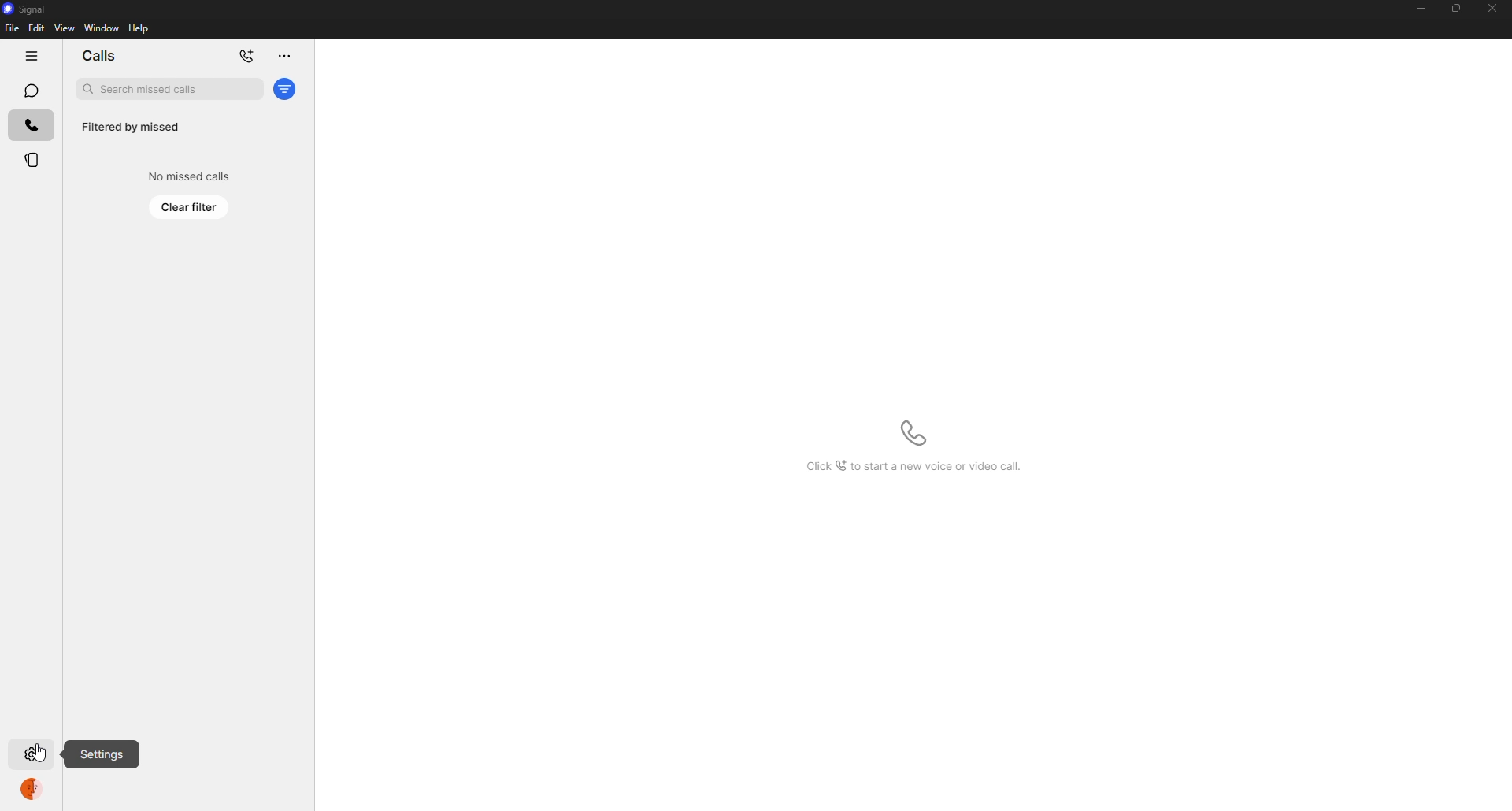 The image size is (1512, 811). Describe the element at coordinates (26, 8) in the screenshot. I see `signal` at that location.